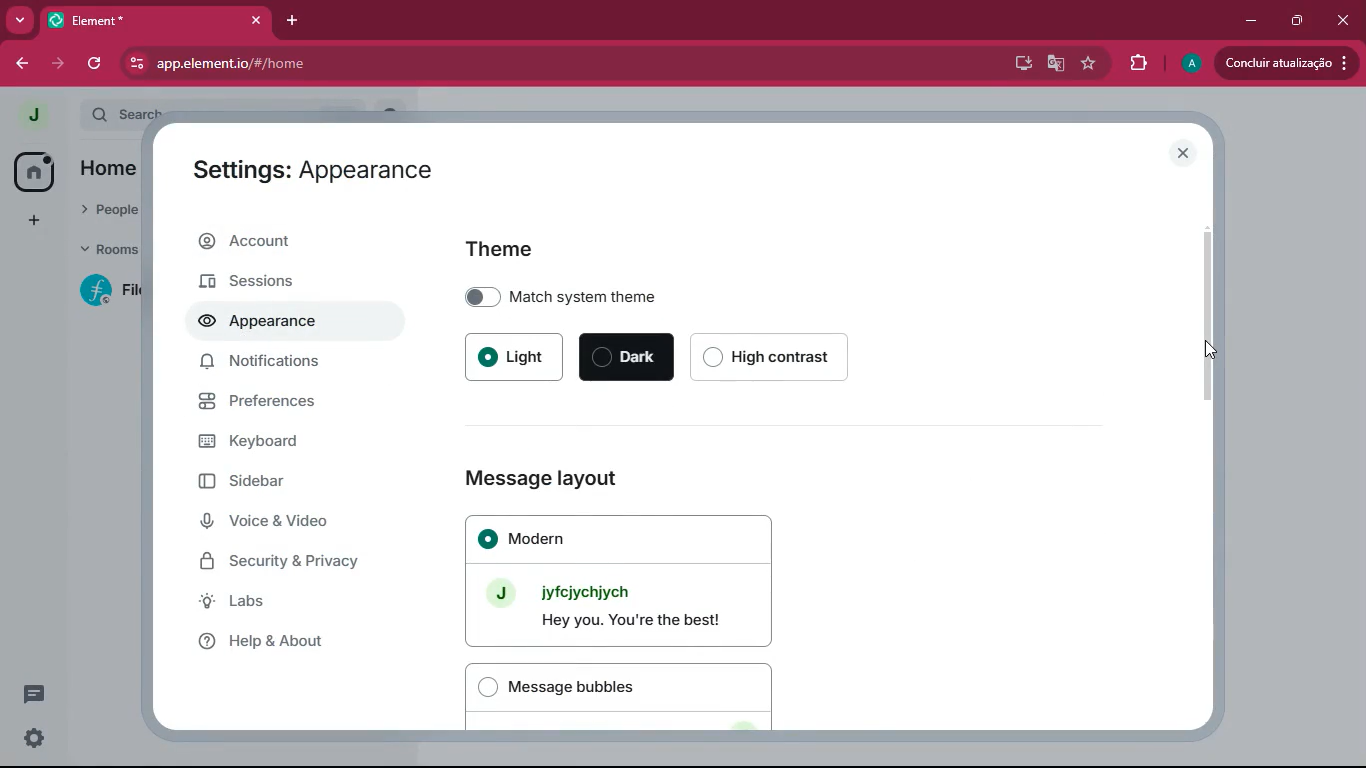 This screenshot has width=1366, height=768. What do you see at coordinates (112, 168) in the screenshot?
I see `home` at bounding box center [112, 168].